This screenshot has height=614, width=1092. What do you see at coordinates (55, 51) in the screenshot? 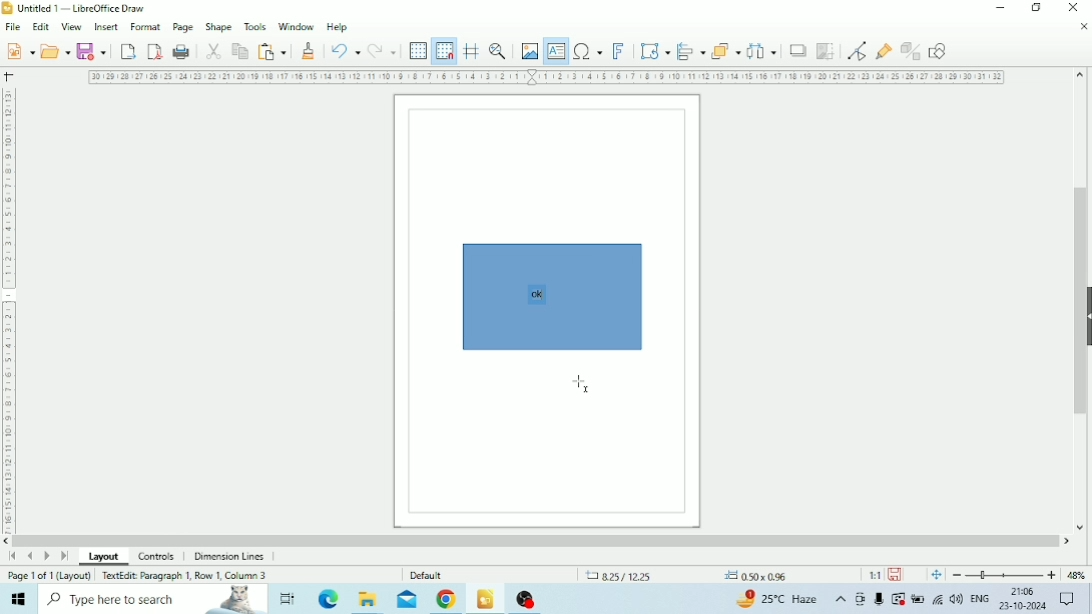
I see `Open` at bounding box center [55, 51].